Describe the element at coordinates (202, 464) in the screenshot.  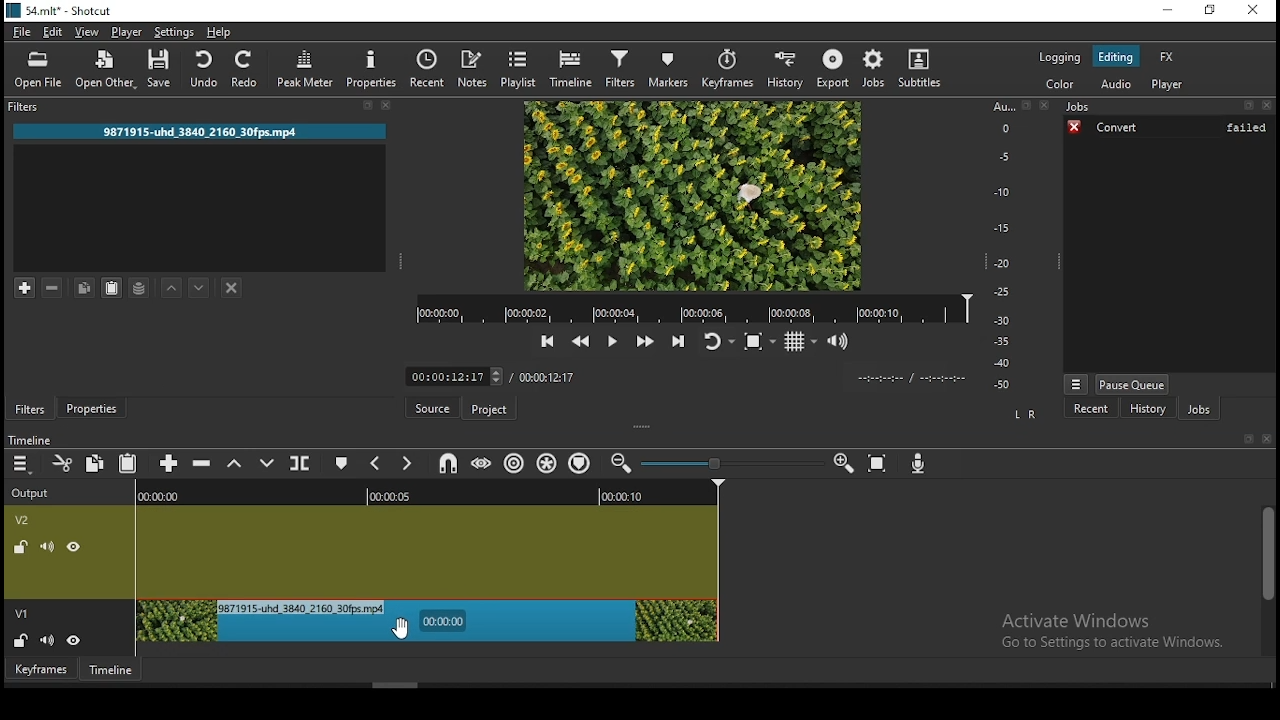
I see `ripple delete` at that location.